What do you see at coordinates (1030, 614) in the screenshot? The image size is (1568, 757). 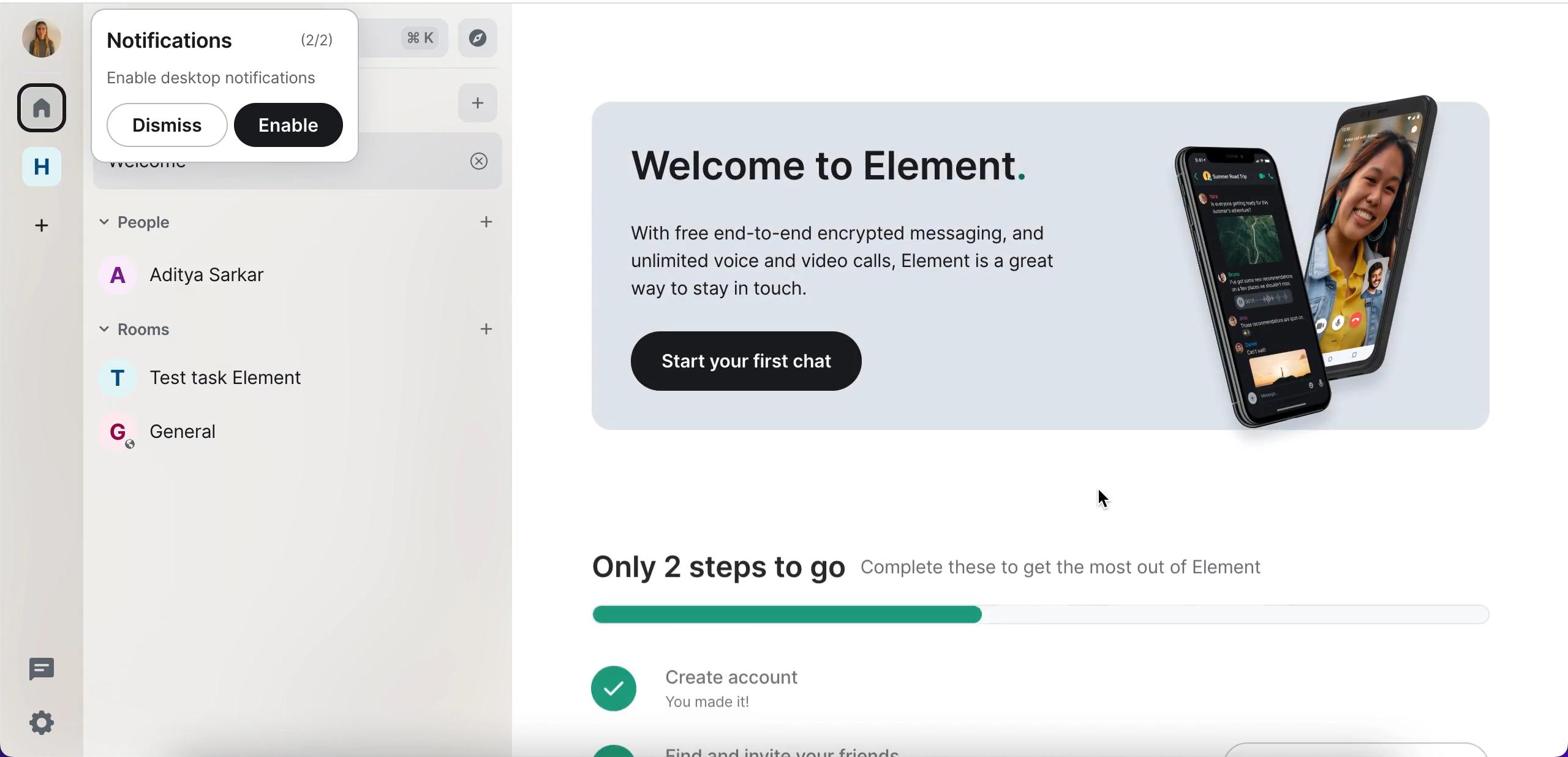 I see `Step counter` at bounding box center [1030, 614].